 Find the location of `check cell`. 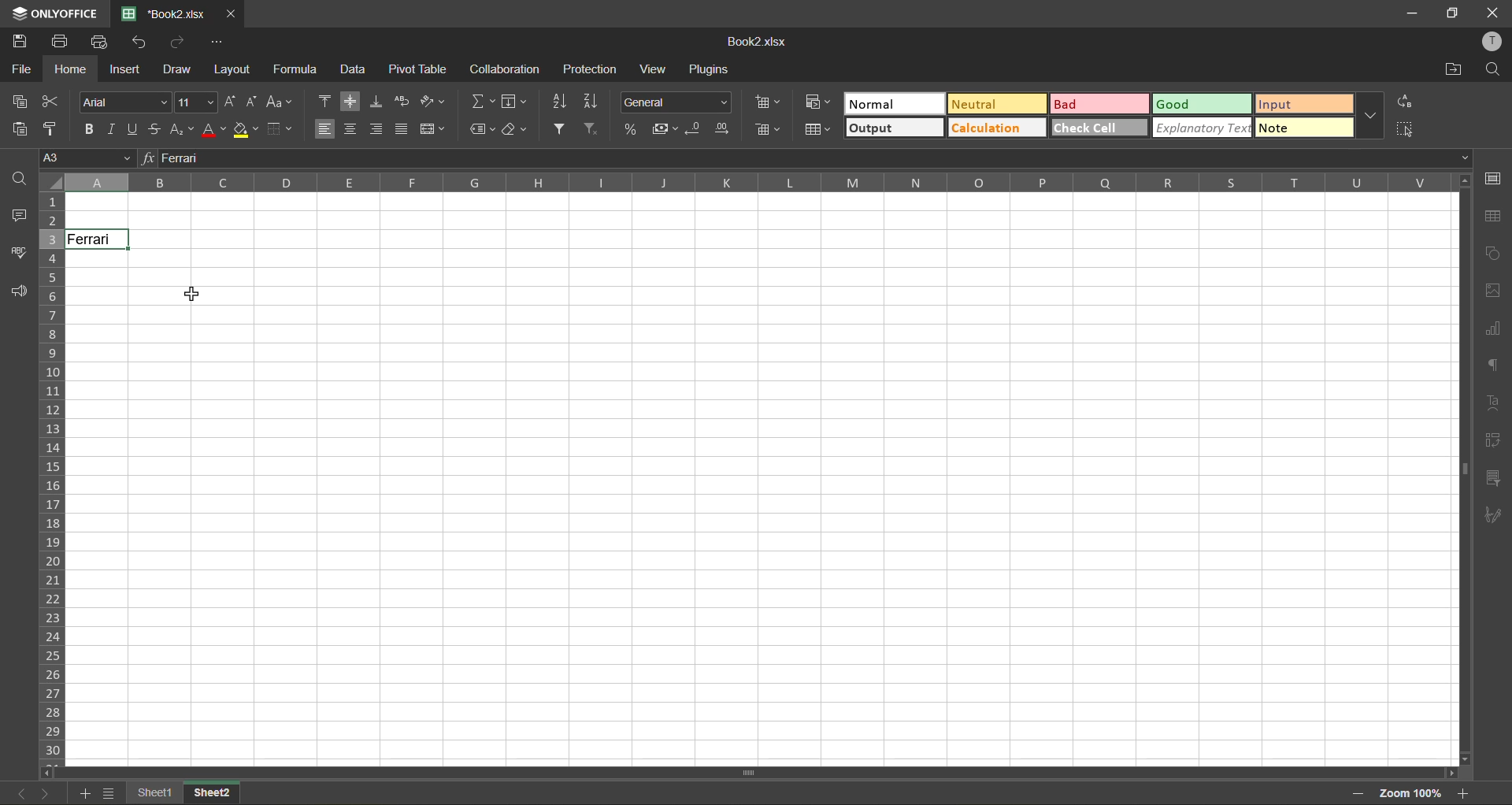

check cell is located at coordinates (1100, 128).